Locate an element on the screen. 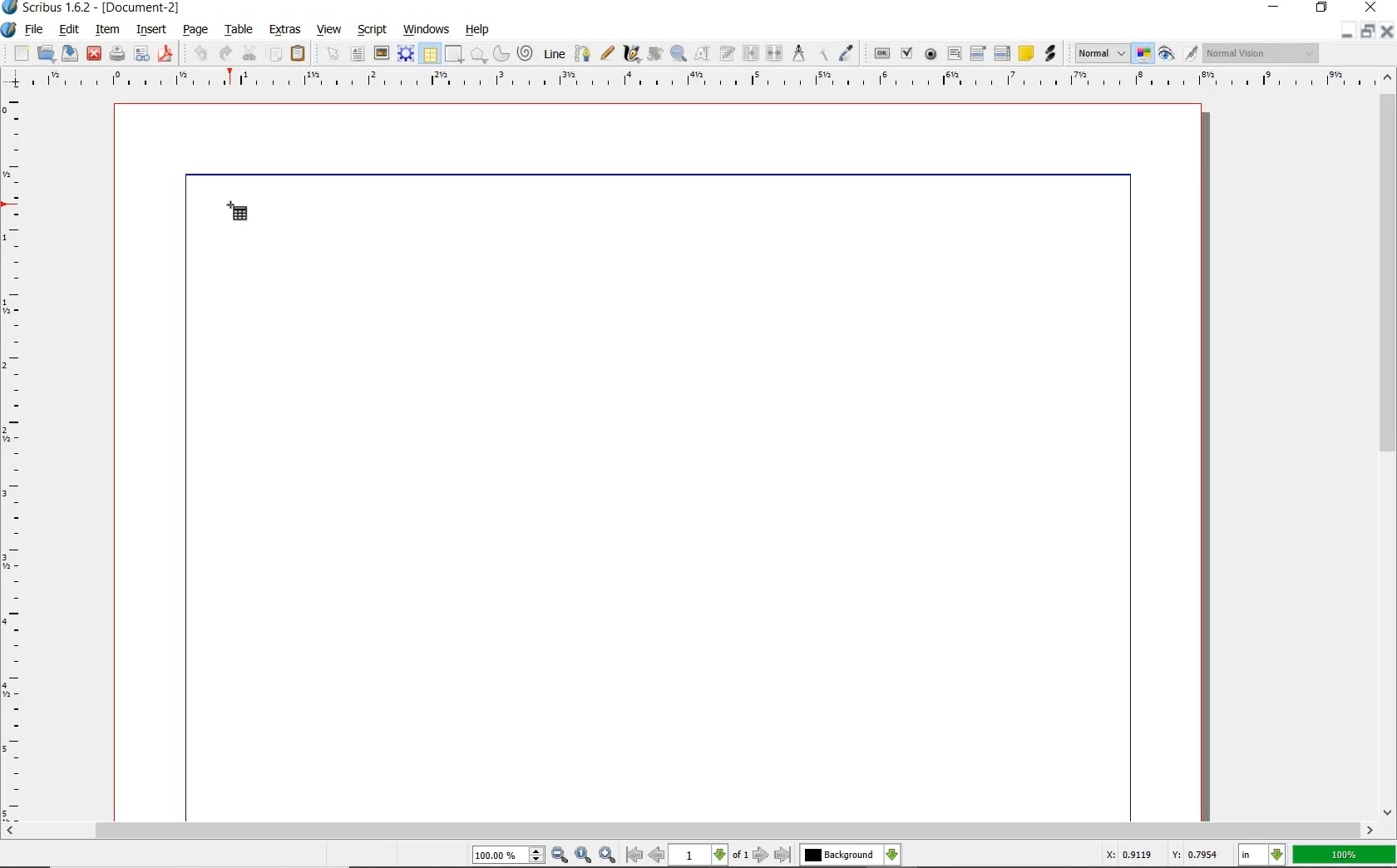 The height and width of the screenshot is (868, 1397). line is located at coordinates (555, 55).